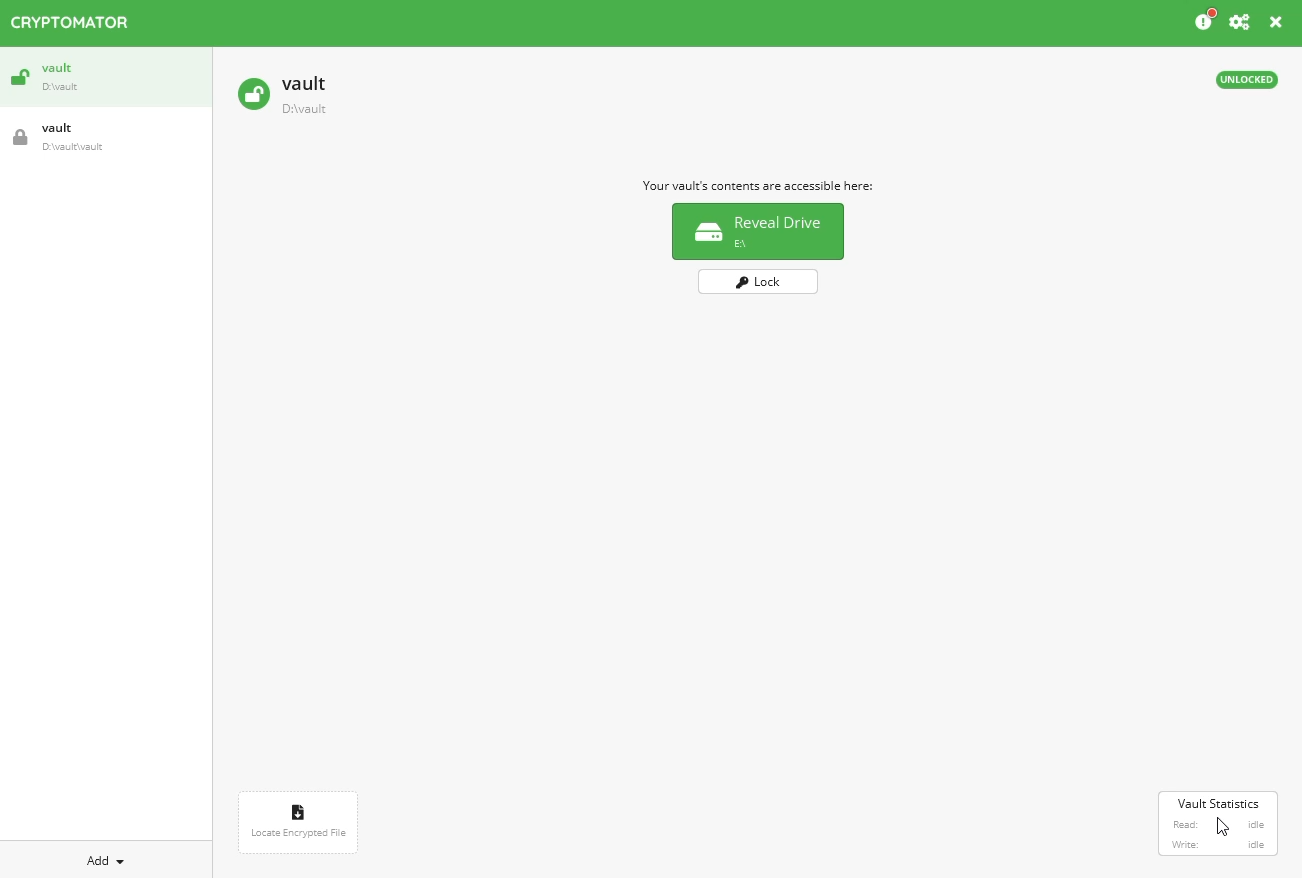  I want to click on info, so click(757, 185).